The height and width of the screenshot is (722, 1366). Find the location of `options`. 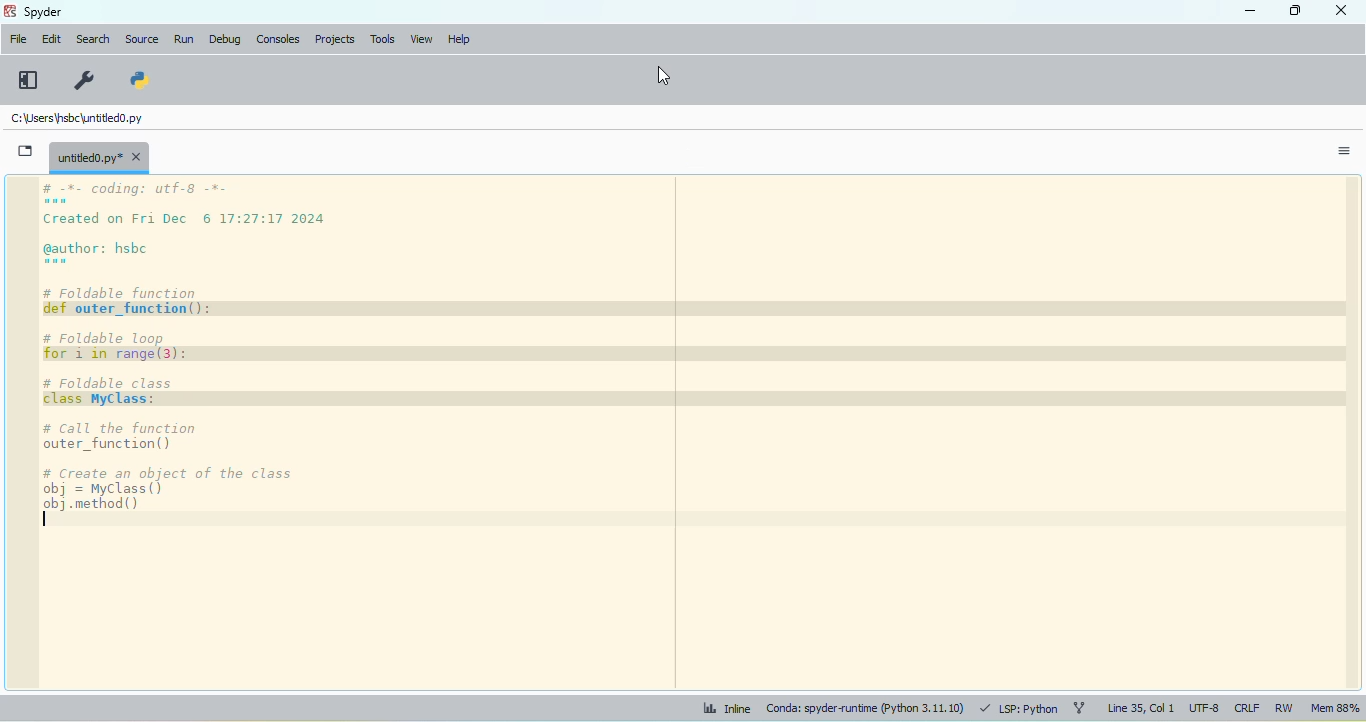

options is located at coordinates (1344, 152).